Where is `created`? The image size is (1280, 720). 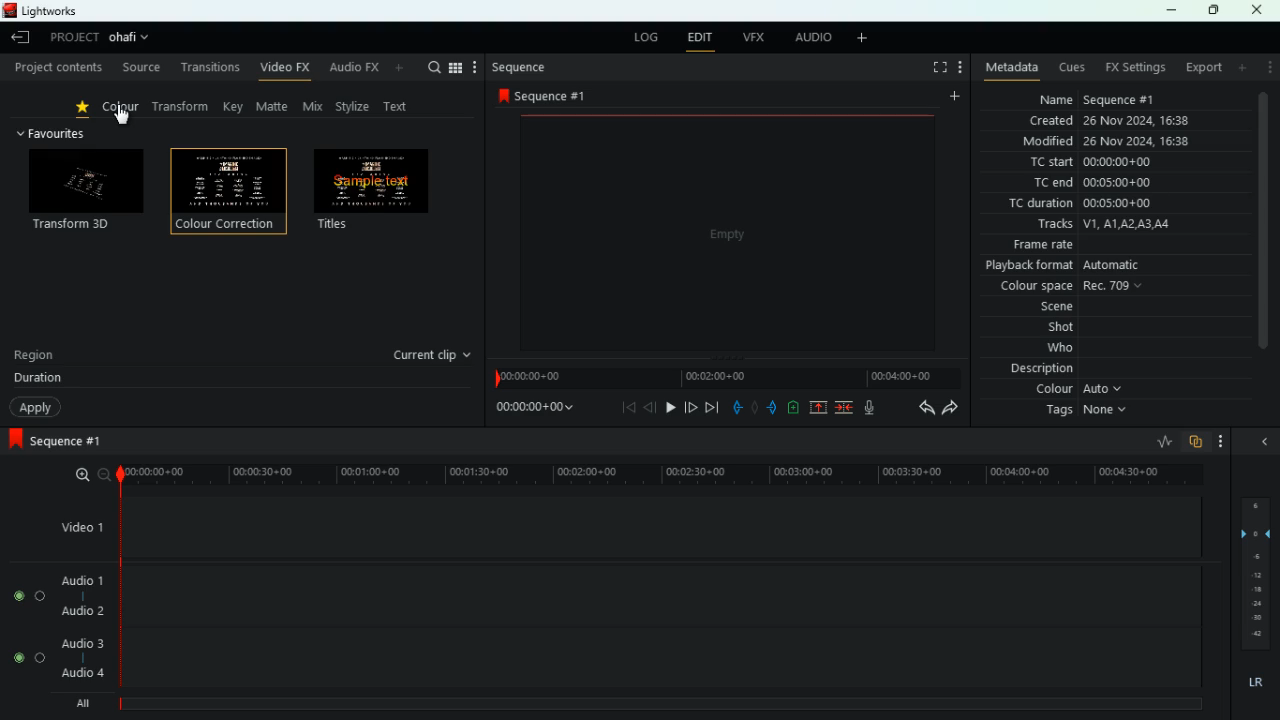 created is located at coordinates (1110, 120).